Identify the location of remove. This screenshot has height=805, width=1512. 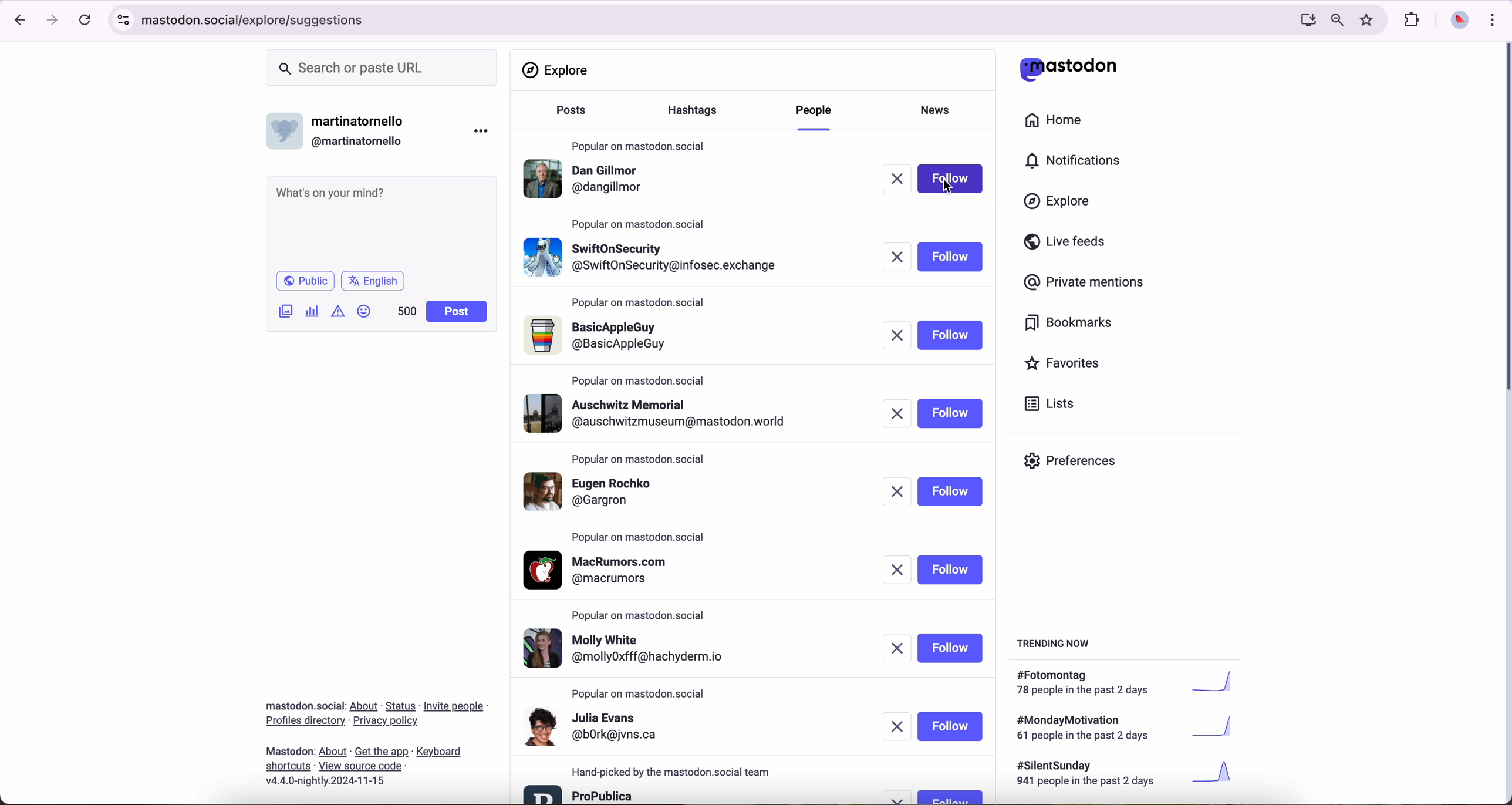
(897, 179).